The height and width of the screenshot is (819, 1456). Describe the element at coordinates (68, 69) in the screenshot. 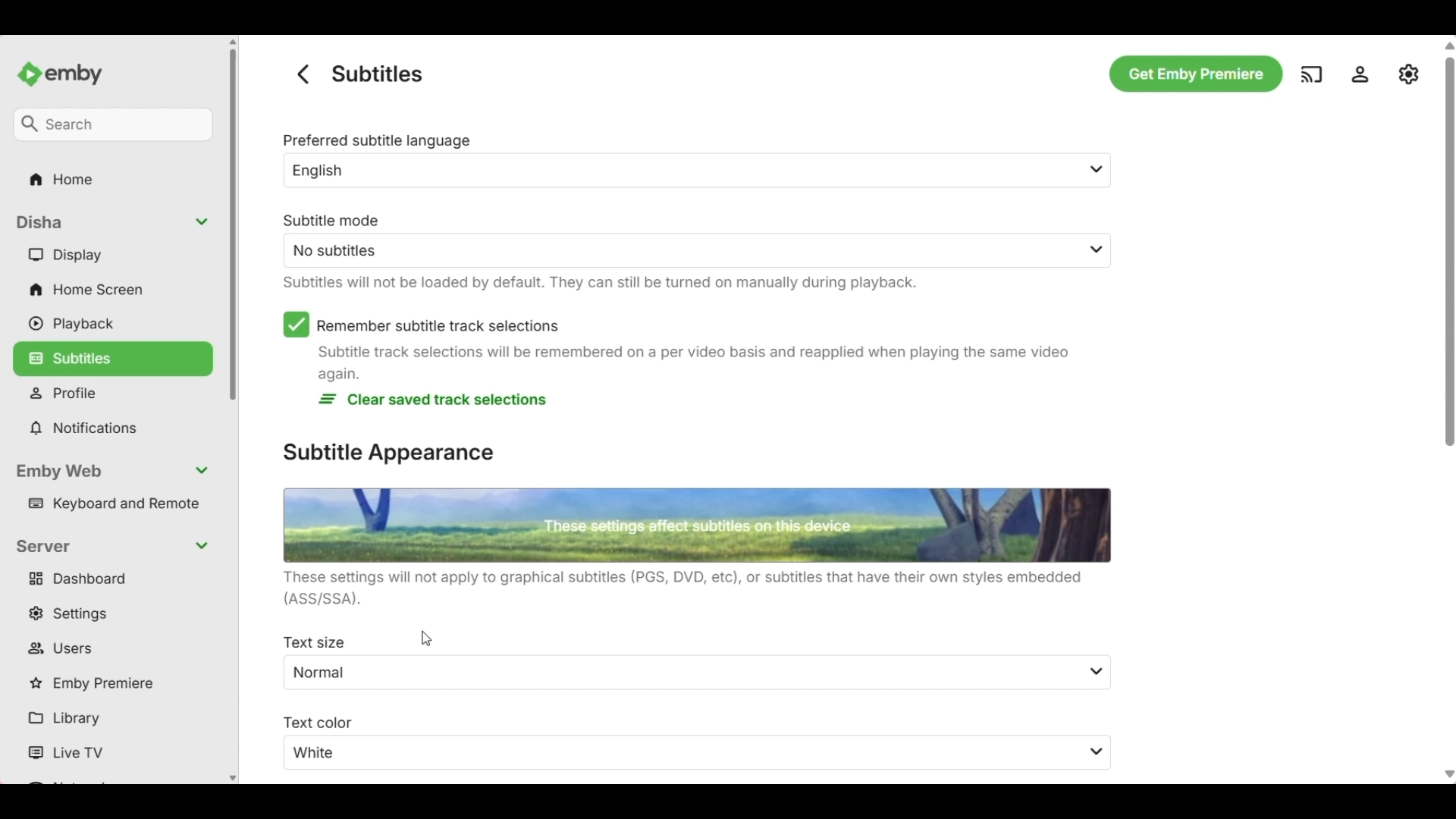

I see `` at that location.